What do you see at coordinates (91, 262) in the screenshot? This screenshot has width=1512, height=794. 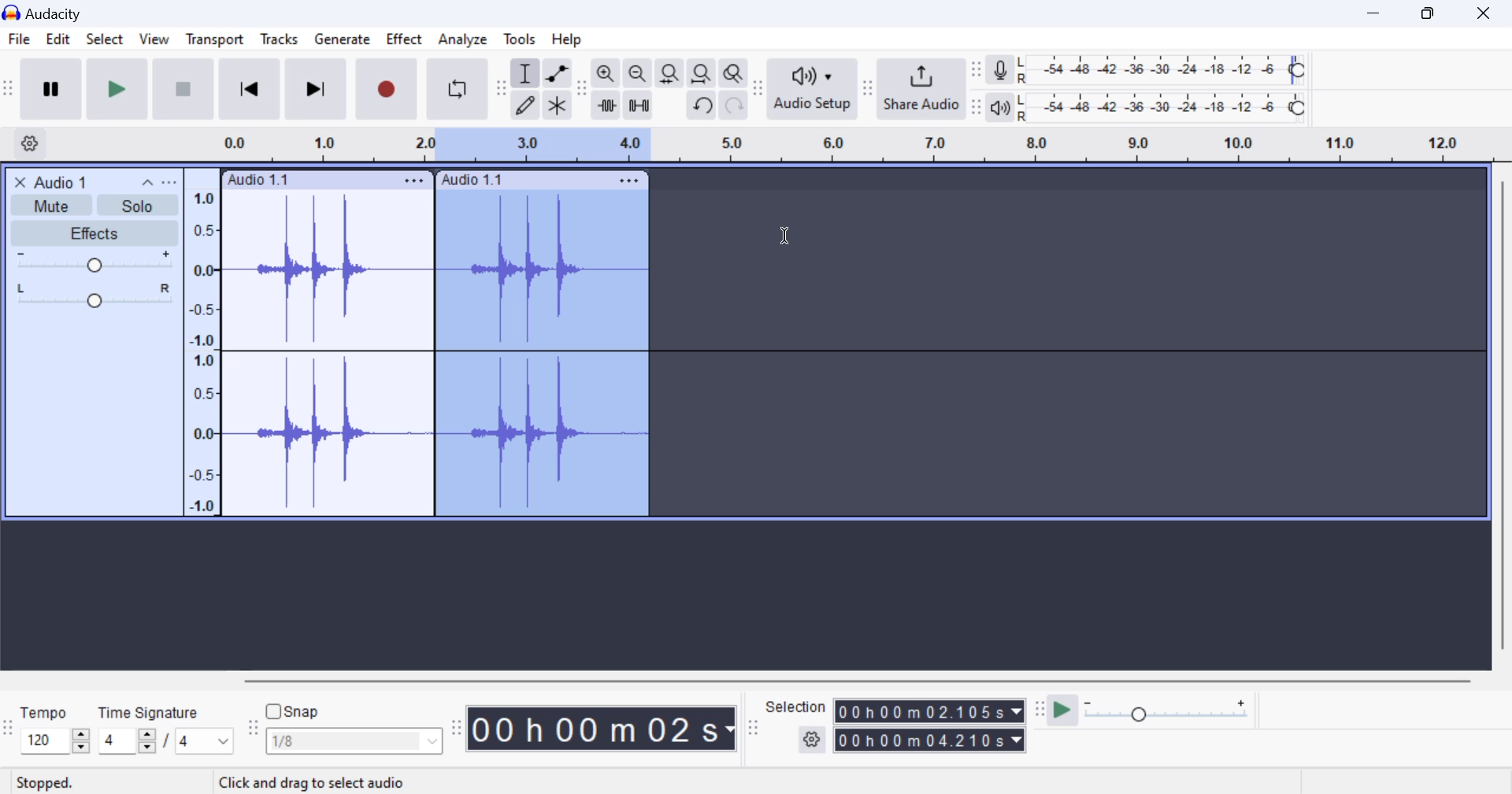 I see `Volume` at bounding box center [91, 262].